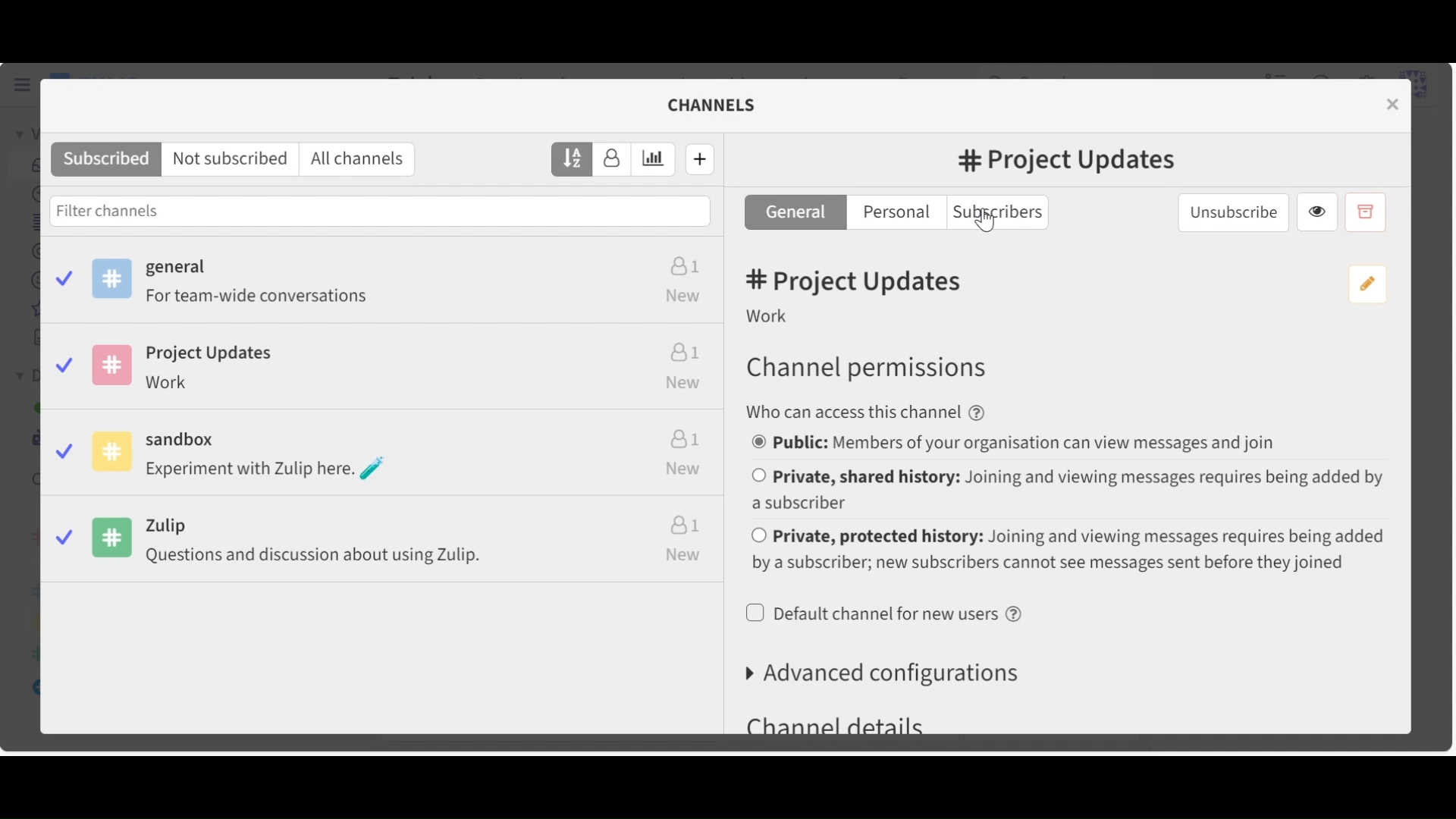 The image size is (1456, 819). Describe the element at coordinates (382, 364) in the screenshot. I see `Project Updates` at that location.